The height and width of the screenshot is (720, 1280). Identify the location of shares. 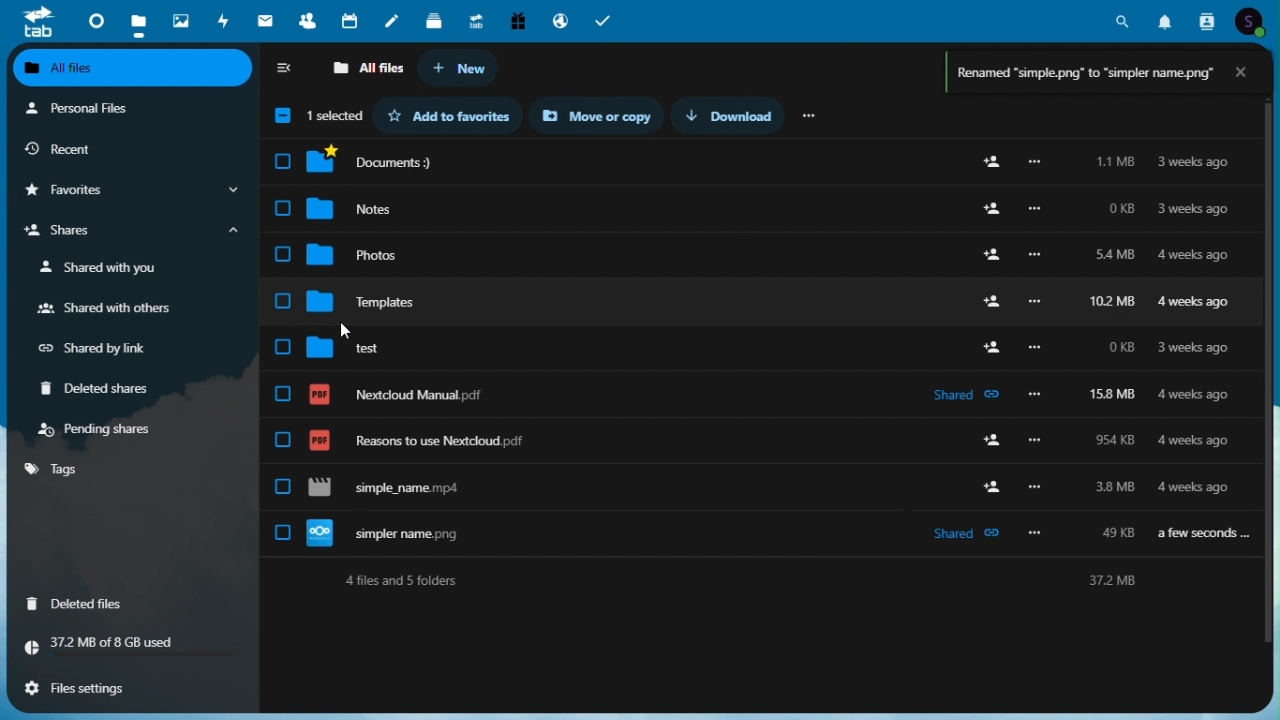
(129, 233).